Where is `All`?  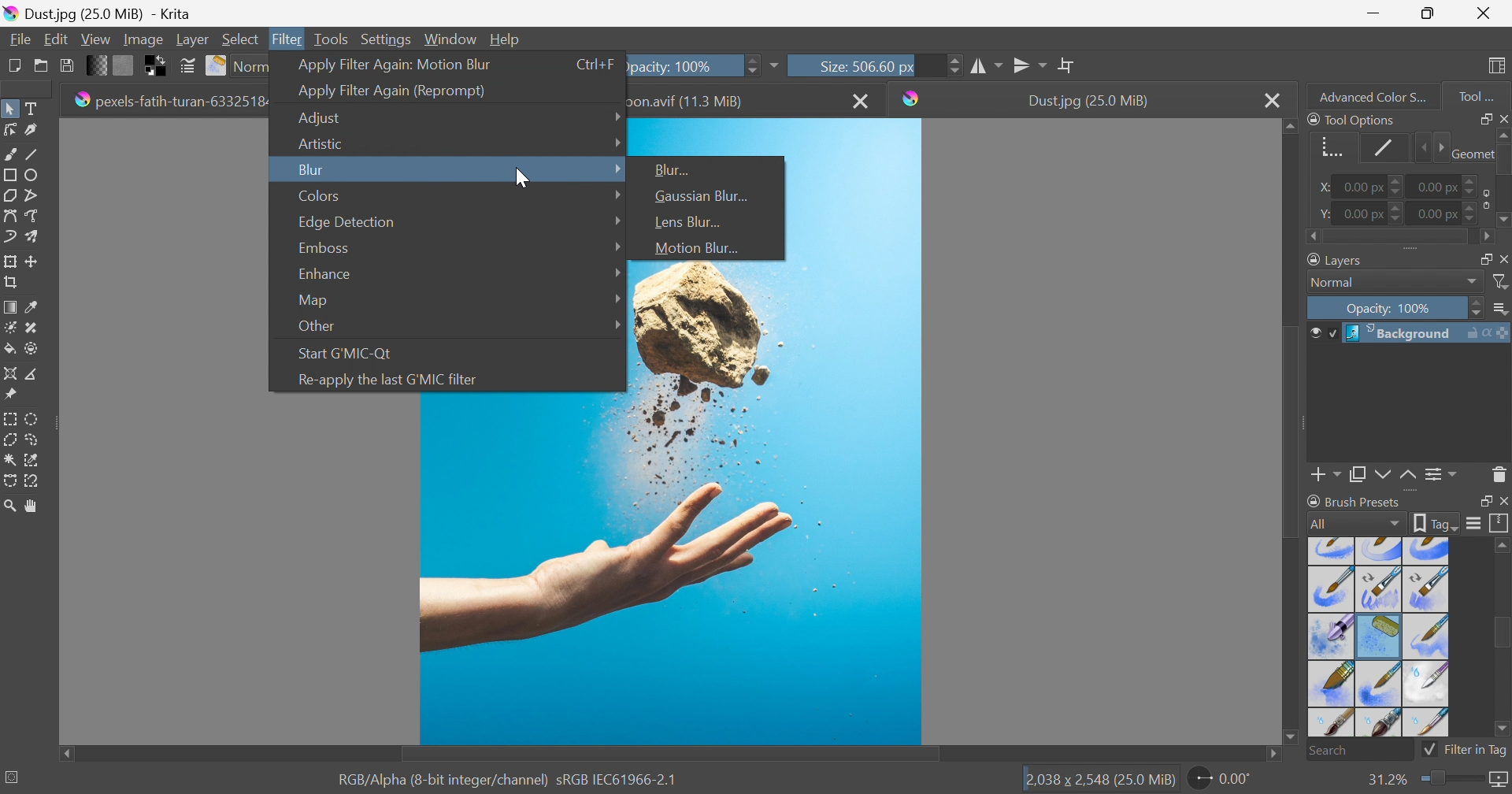 All is located at coordinates (1355, 523).